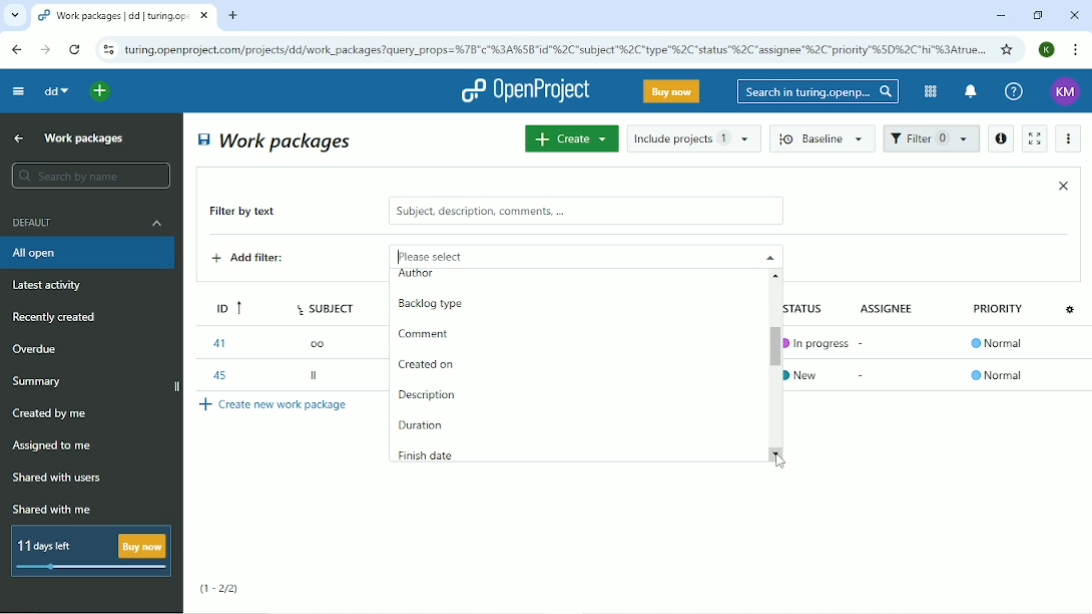 The width and height of the screenshot is (1092, 614). Describe the element at coordinates (809, 373) in the screenshot. I see `New` at that location.